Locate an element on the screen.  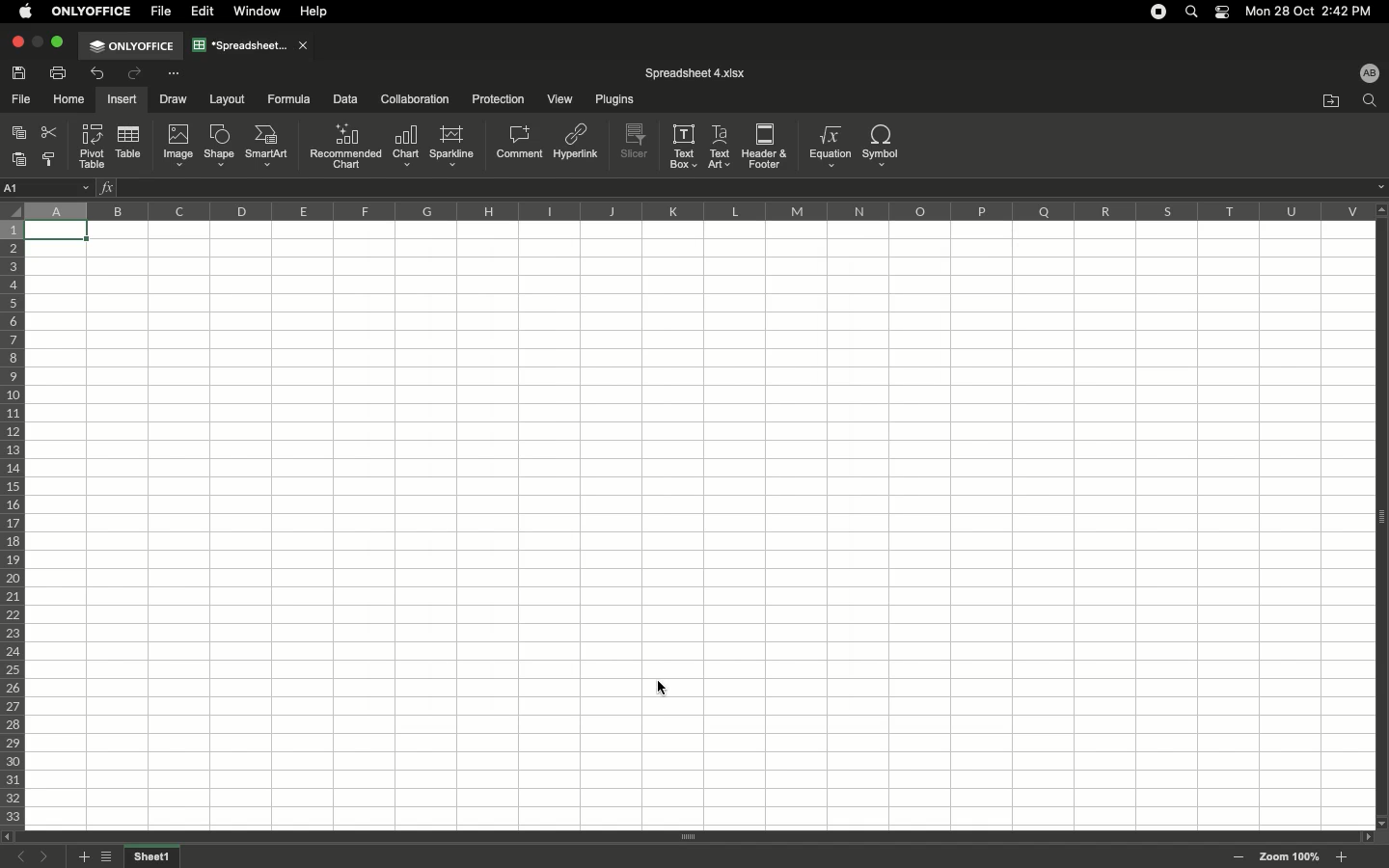
Text box is located at coordinates (684, 146).